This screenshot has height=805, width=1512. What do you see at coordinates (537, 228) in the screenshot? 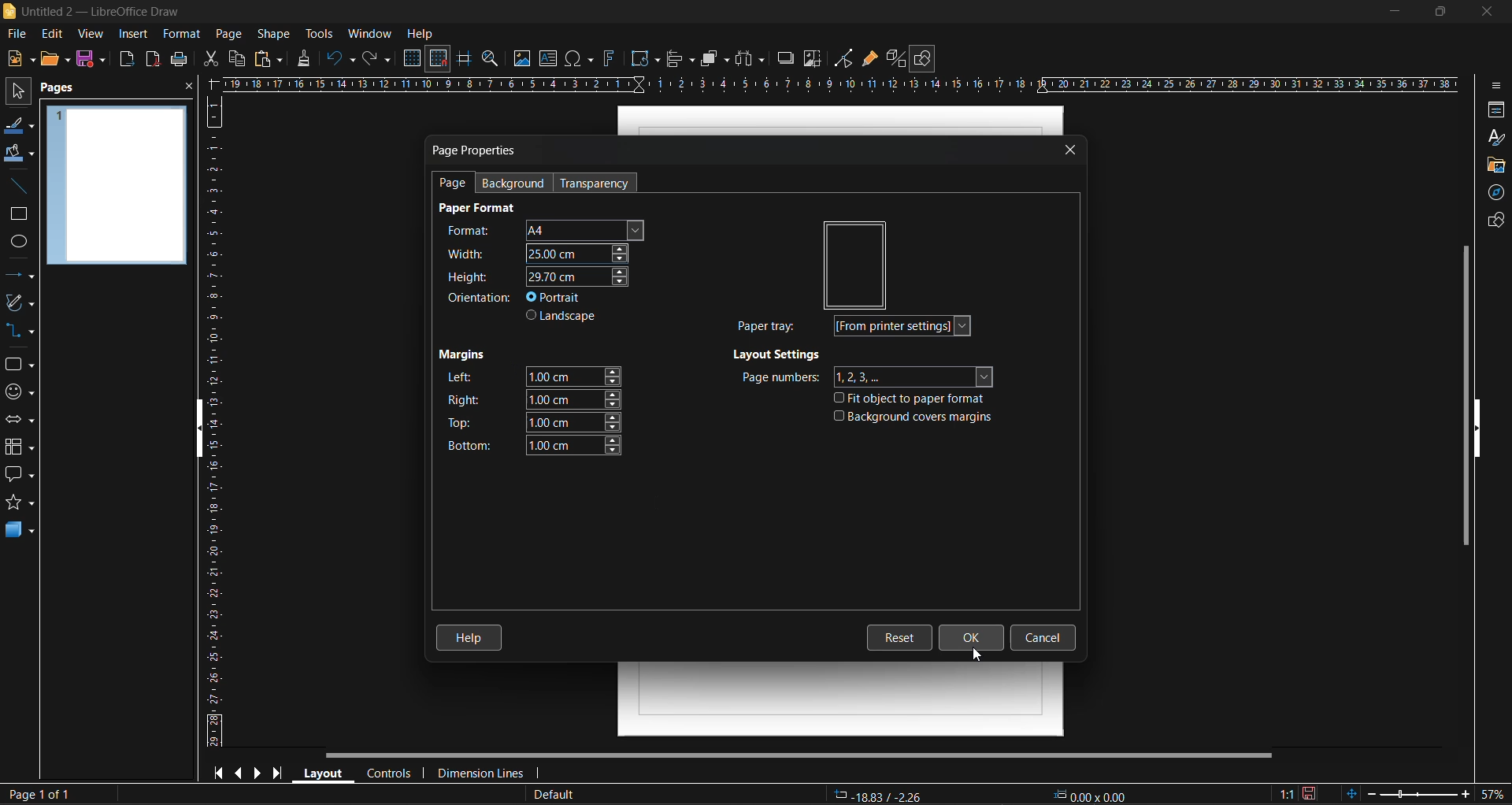
I see `format` at bounding box center [537, 228].